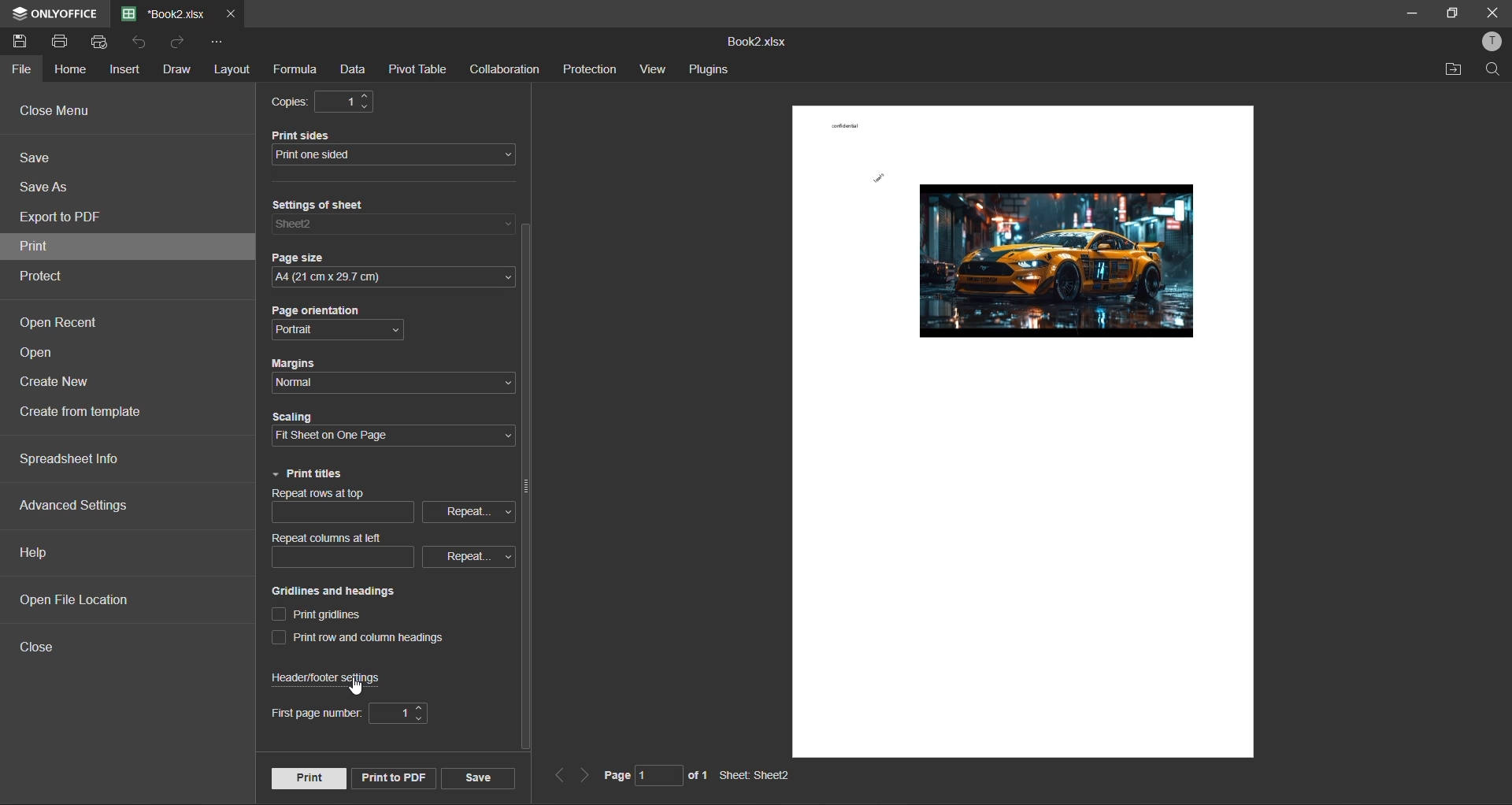 This screenshot has width=1512, height=805. What do you see at coordinates (712, 70) in the screenshot?
I see `plugins` at bounding box center [712, 70].